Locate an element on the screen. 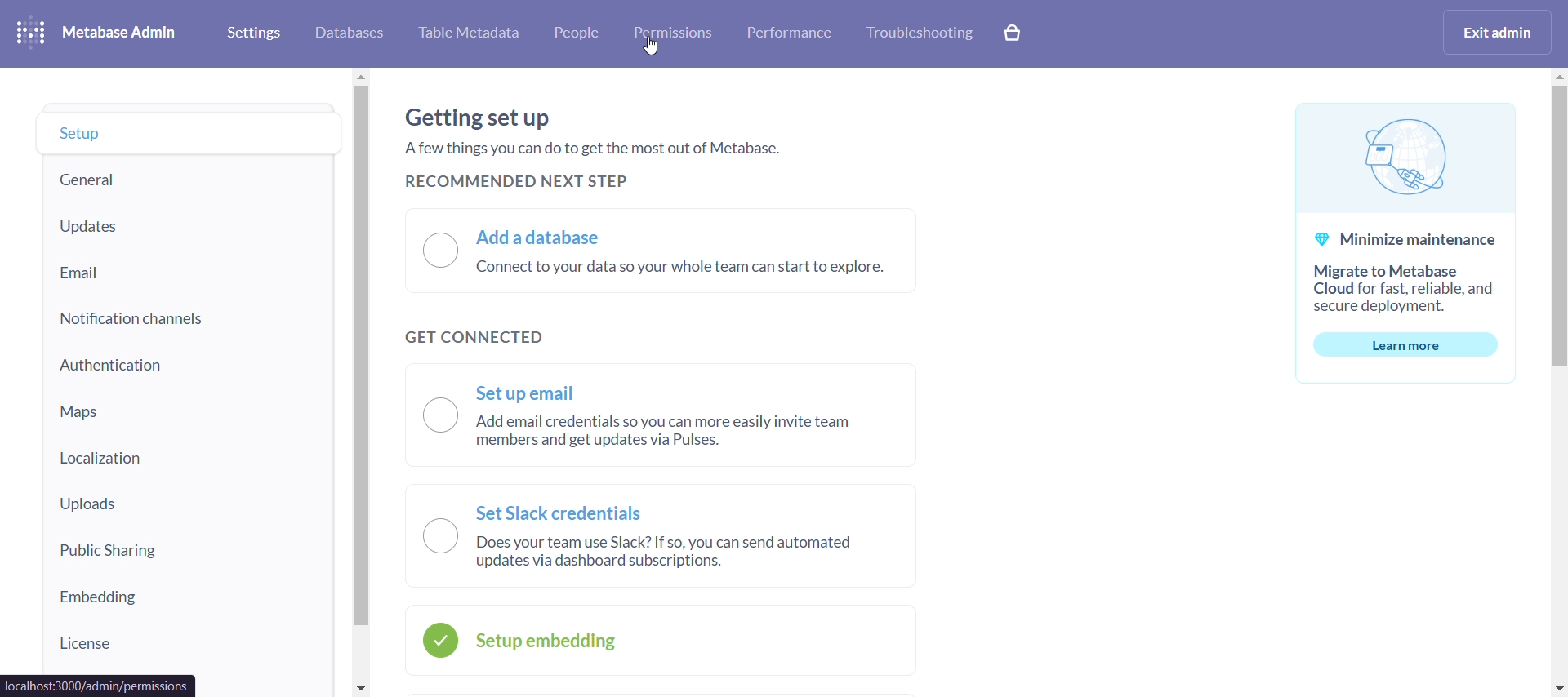  settings is located at coordinates (256, 33).